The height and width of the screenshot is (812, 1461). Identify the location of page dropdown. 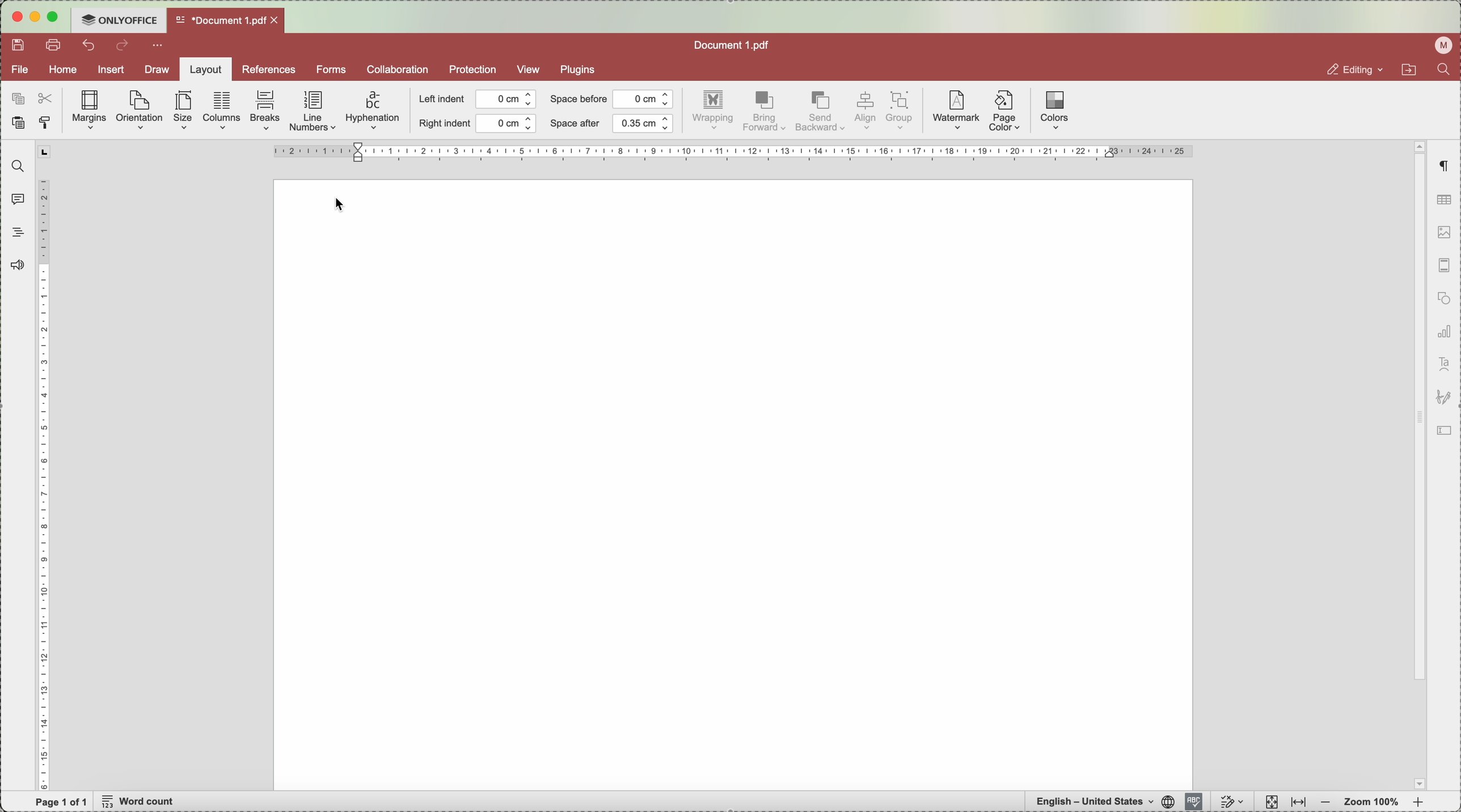
(1416, 783).